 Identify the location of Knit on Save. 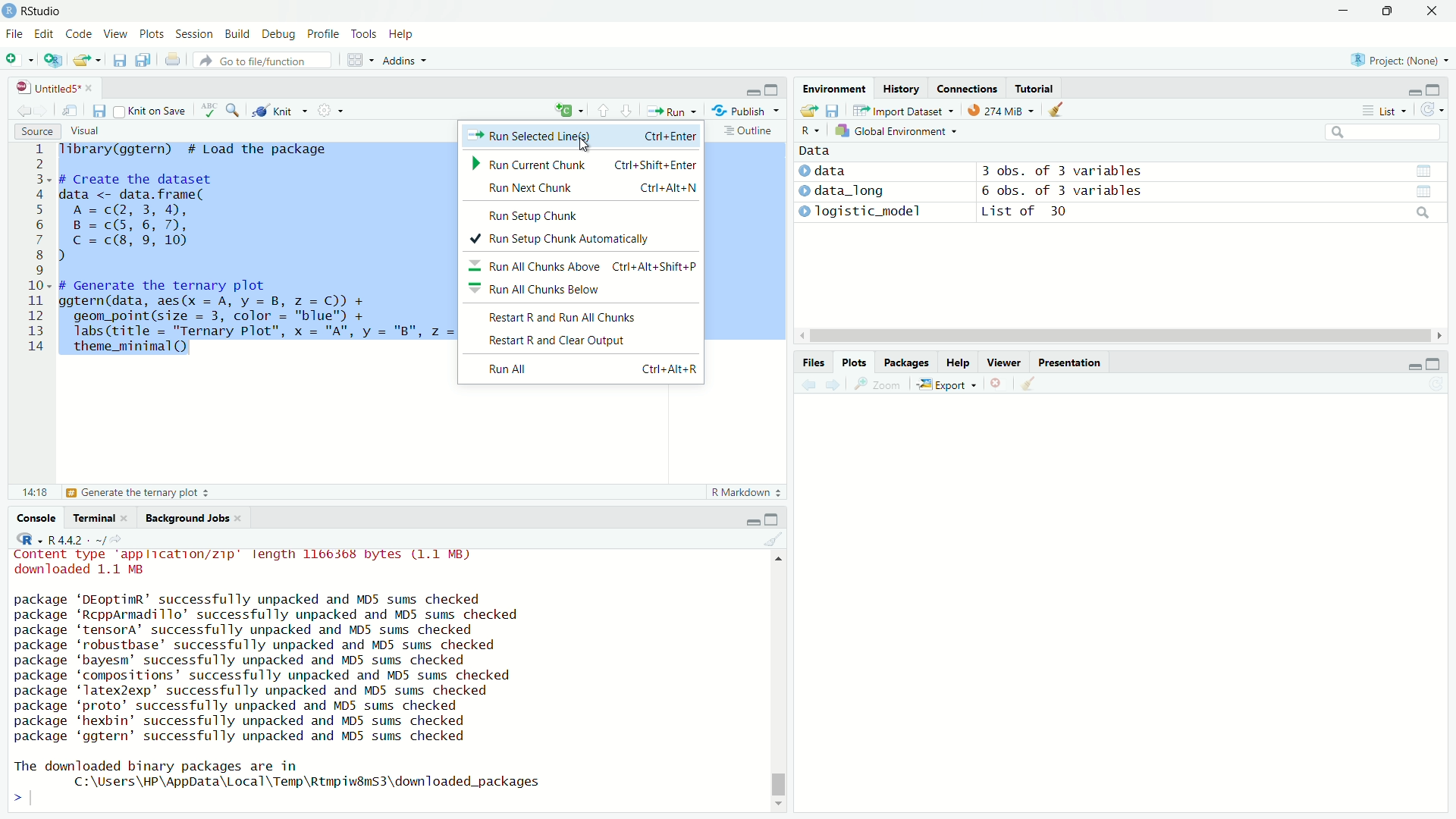
(156, 111).